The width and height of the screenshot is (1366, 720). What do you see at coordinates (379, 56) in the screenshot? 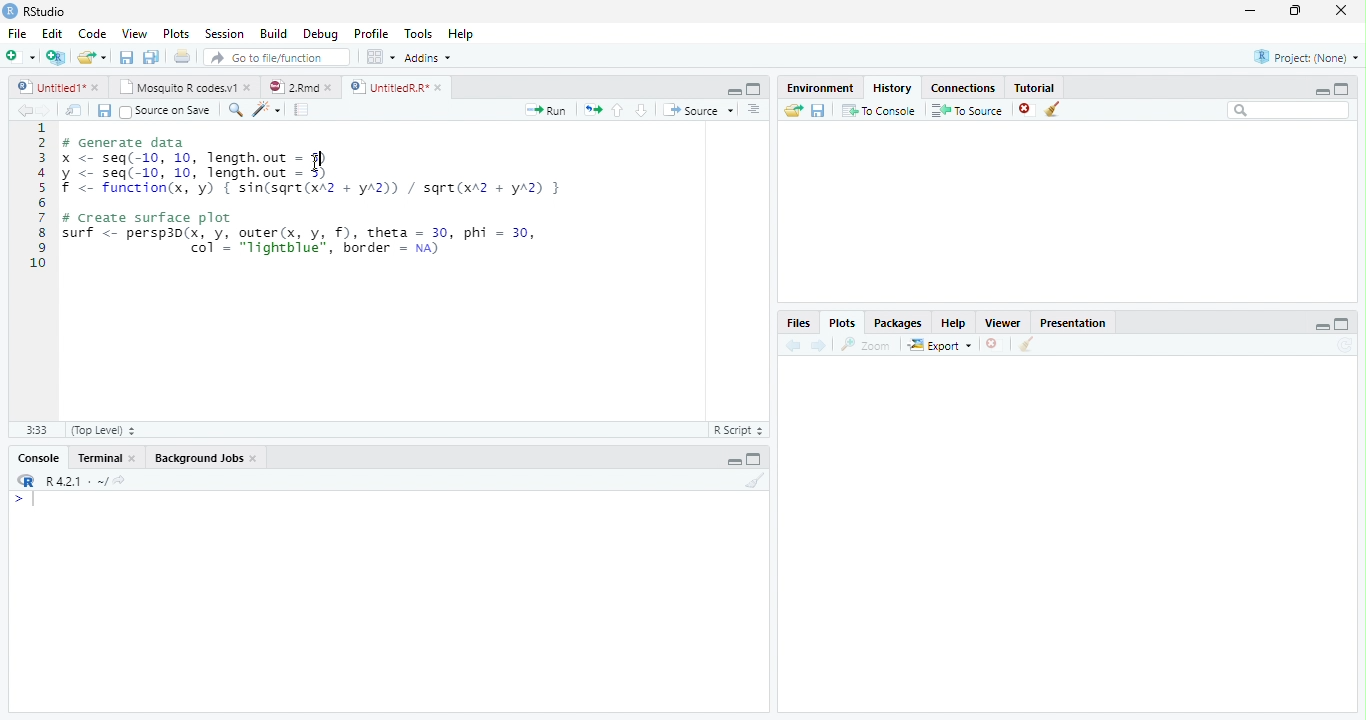
I see `Workspace panes` at bounding box center [379, 56].